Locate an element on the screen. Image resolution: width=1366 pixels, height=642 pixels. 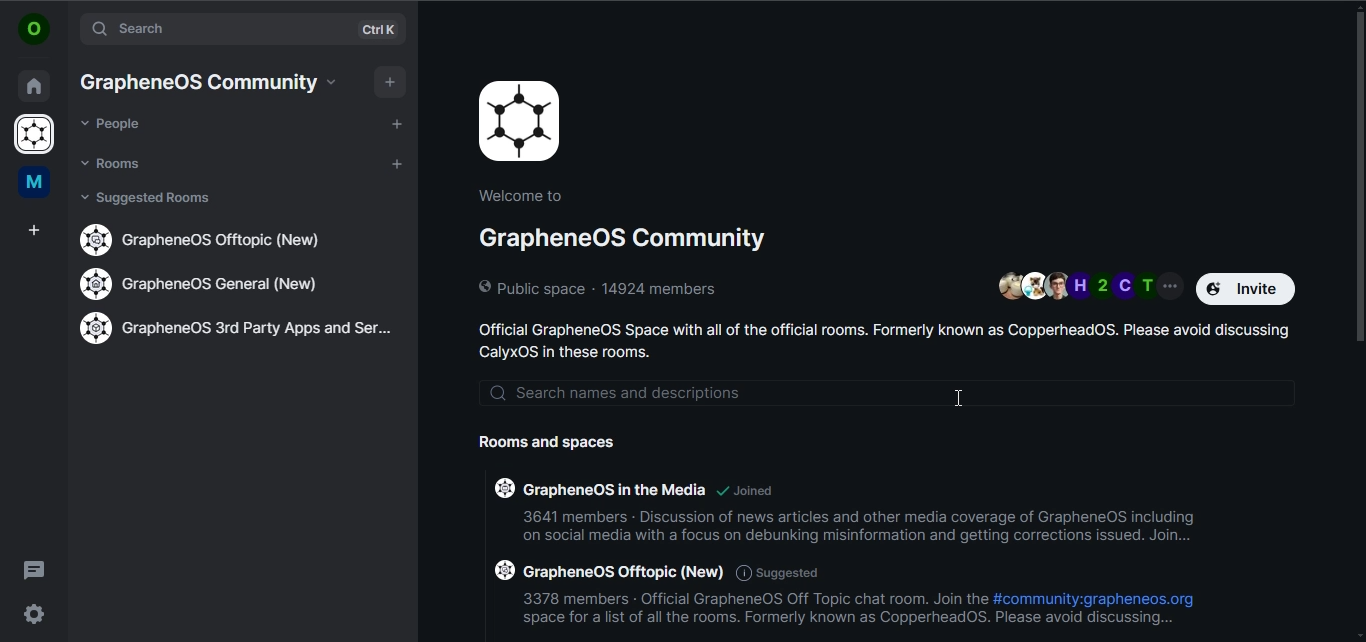
view all members is located at coordinates (1089, 285).